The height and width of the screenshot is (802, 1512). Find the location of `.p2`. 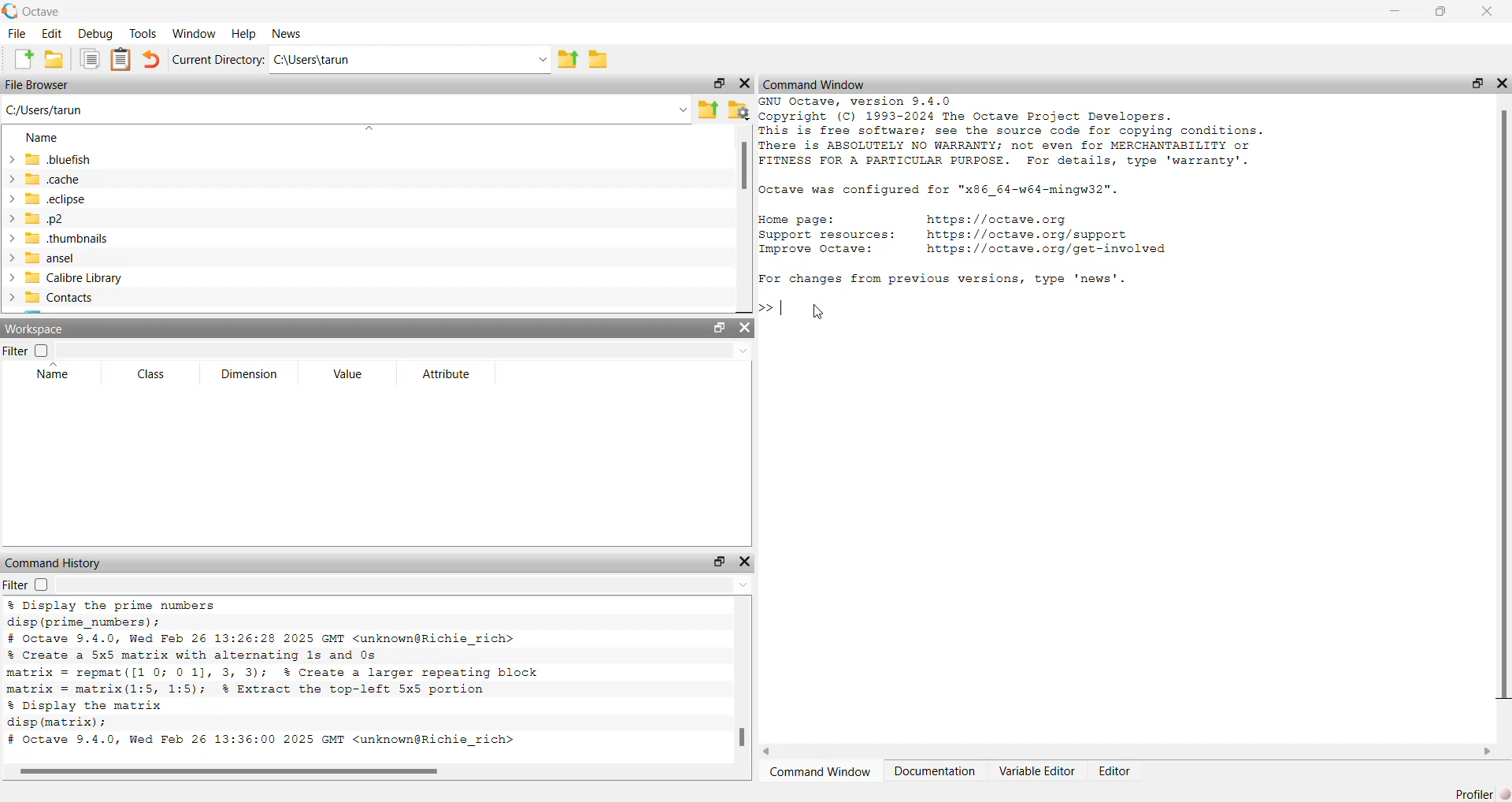

.p2 is located at coordinates (71, 219).